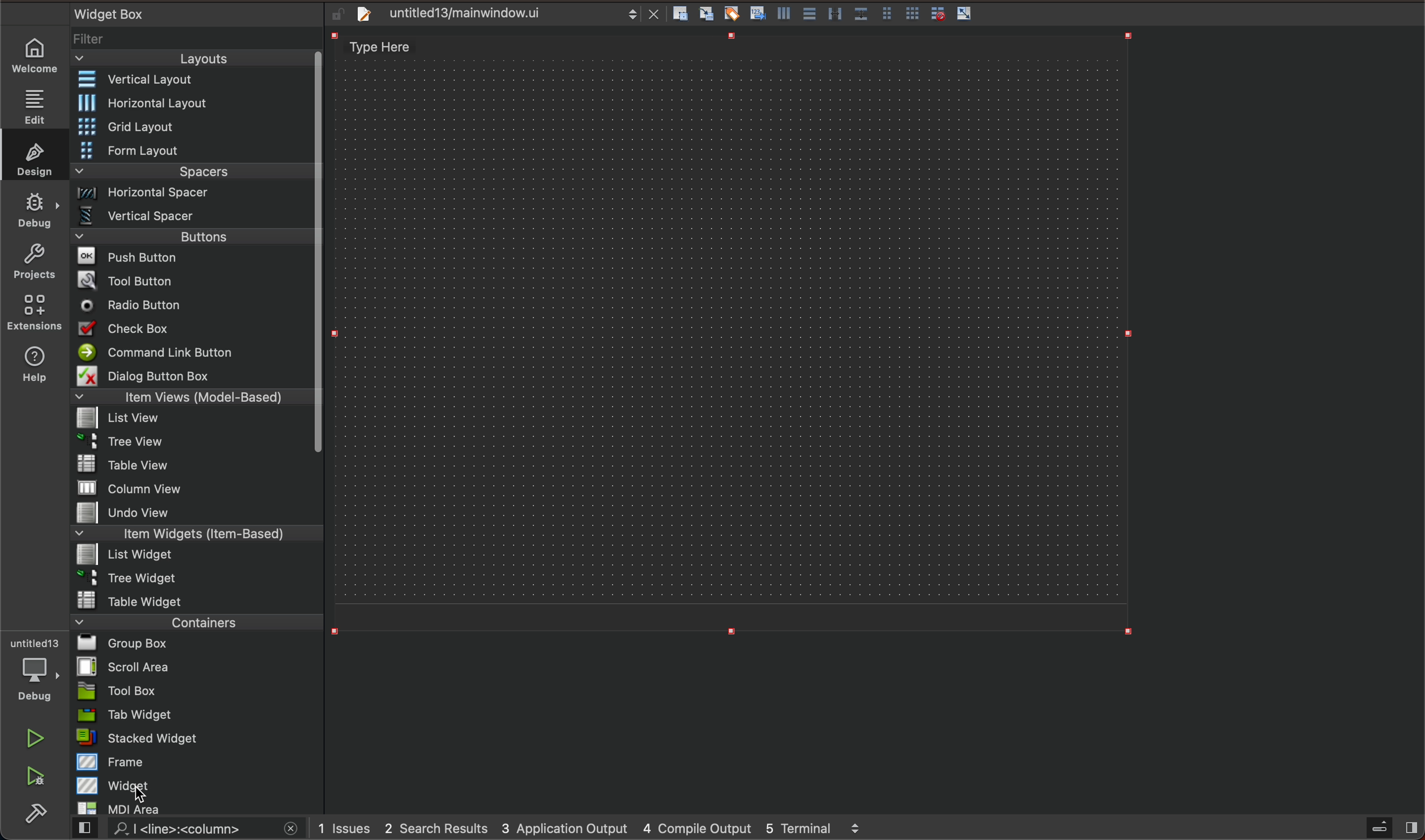 The height and width of the screenshot is (840, 1425). What do you see at coordinates (914, 14) in the screenshot?
I see `` at bounding box center [914, 14].